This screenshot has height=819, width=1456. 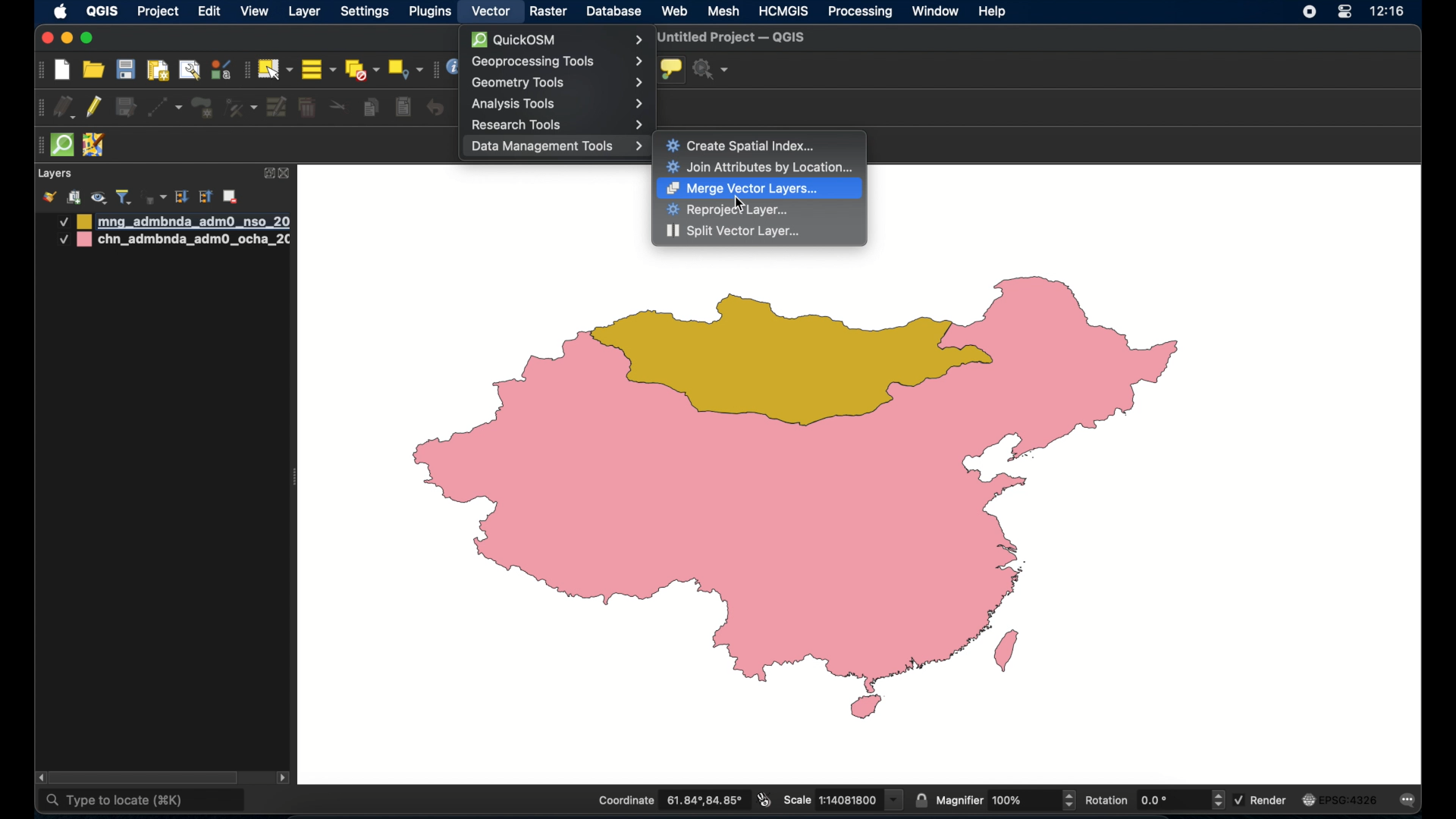 What do you see at coordinates (41, 778) in the screenshot?
I see `scroll left` at bounding box center [41, 778].